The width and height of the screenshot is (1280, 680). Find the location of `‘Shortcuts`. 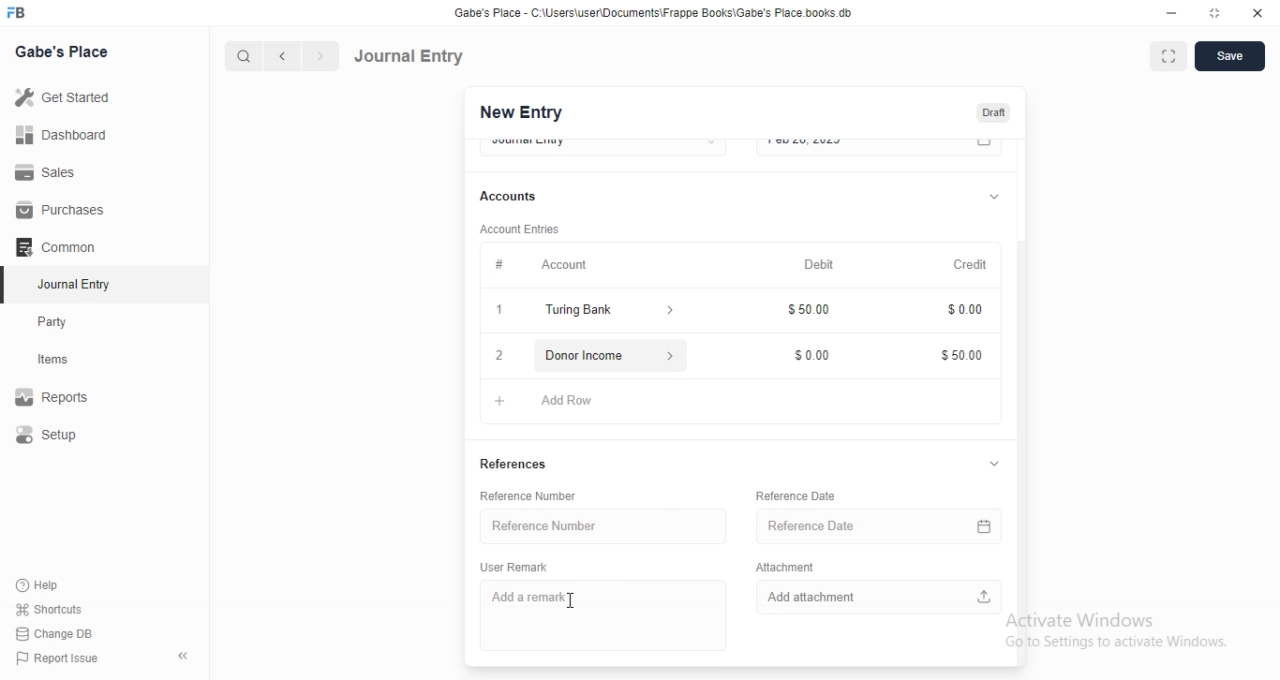

‘Shortcuts is located at coordinates (62, 609).